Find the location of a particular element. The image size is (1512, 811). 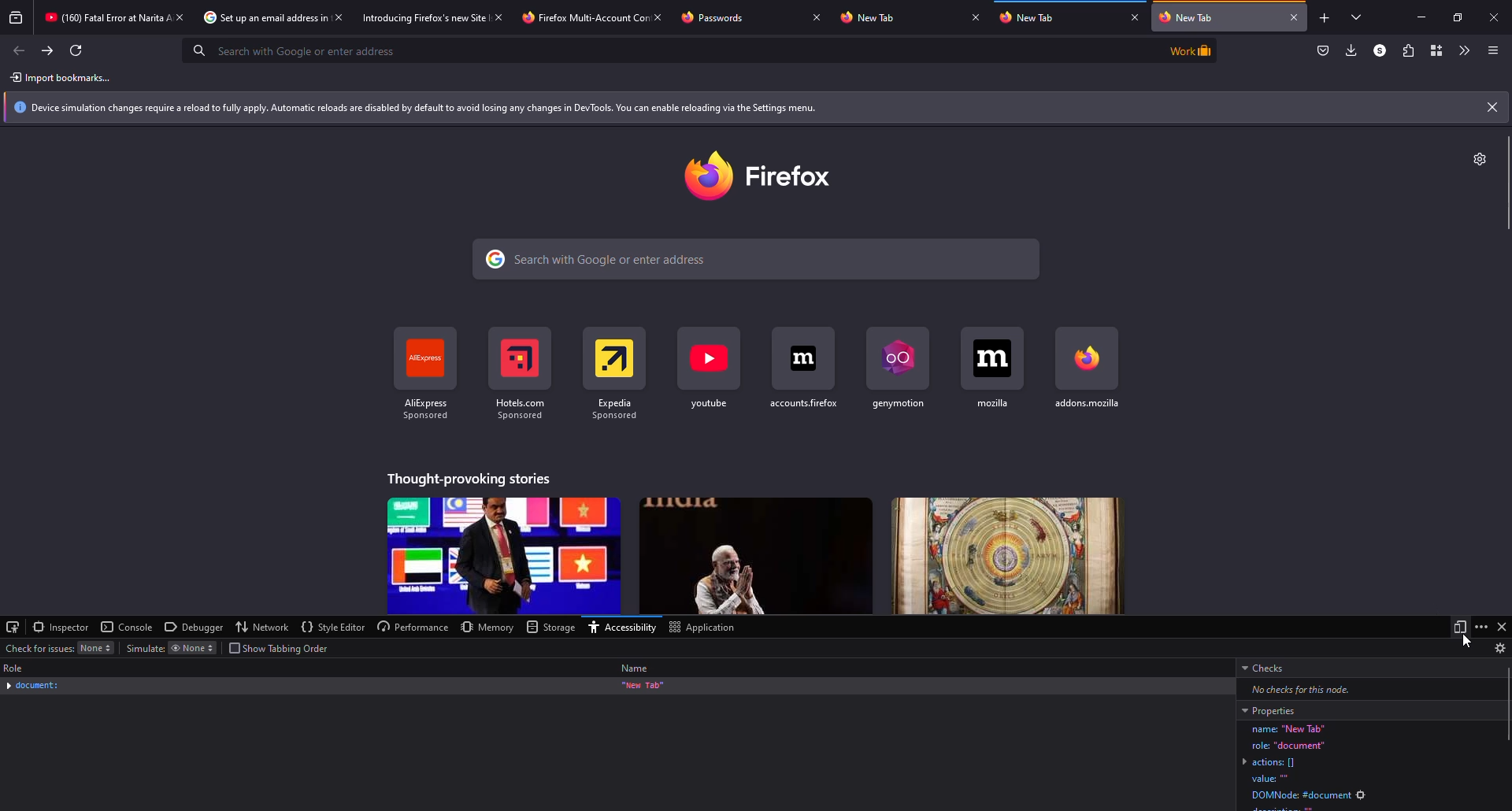

close is located at coordinates (339, 18).